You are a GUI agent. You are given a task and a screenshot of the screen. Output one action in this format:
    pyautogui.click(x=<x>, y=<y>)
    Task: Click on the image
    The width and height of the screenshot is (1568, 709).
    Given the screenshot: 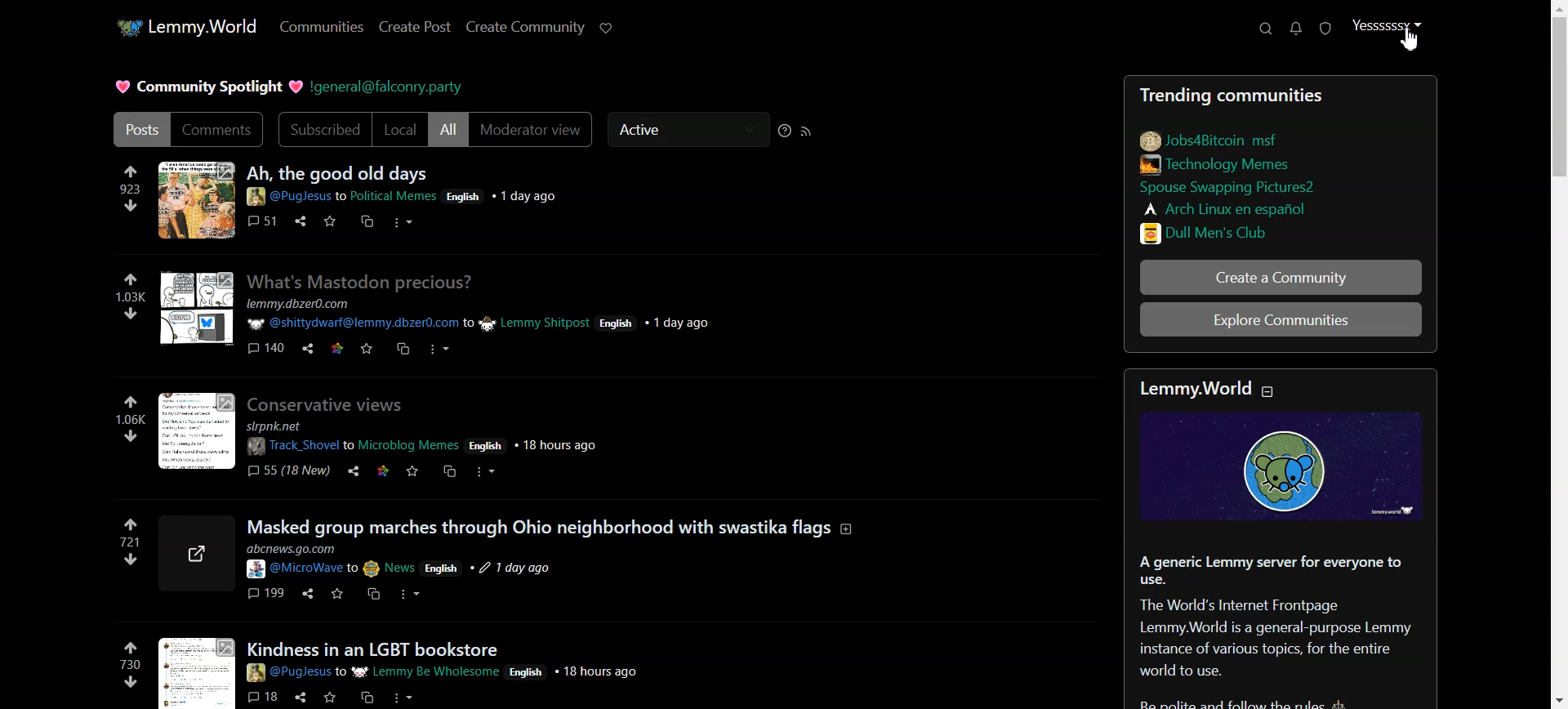 What is the action you would take?
    pyautogui.click(x=197, y=430)
    